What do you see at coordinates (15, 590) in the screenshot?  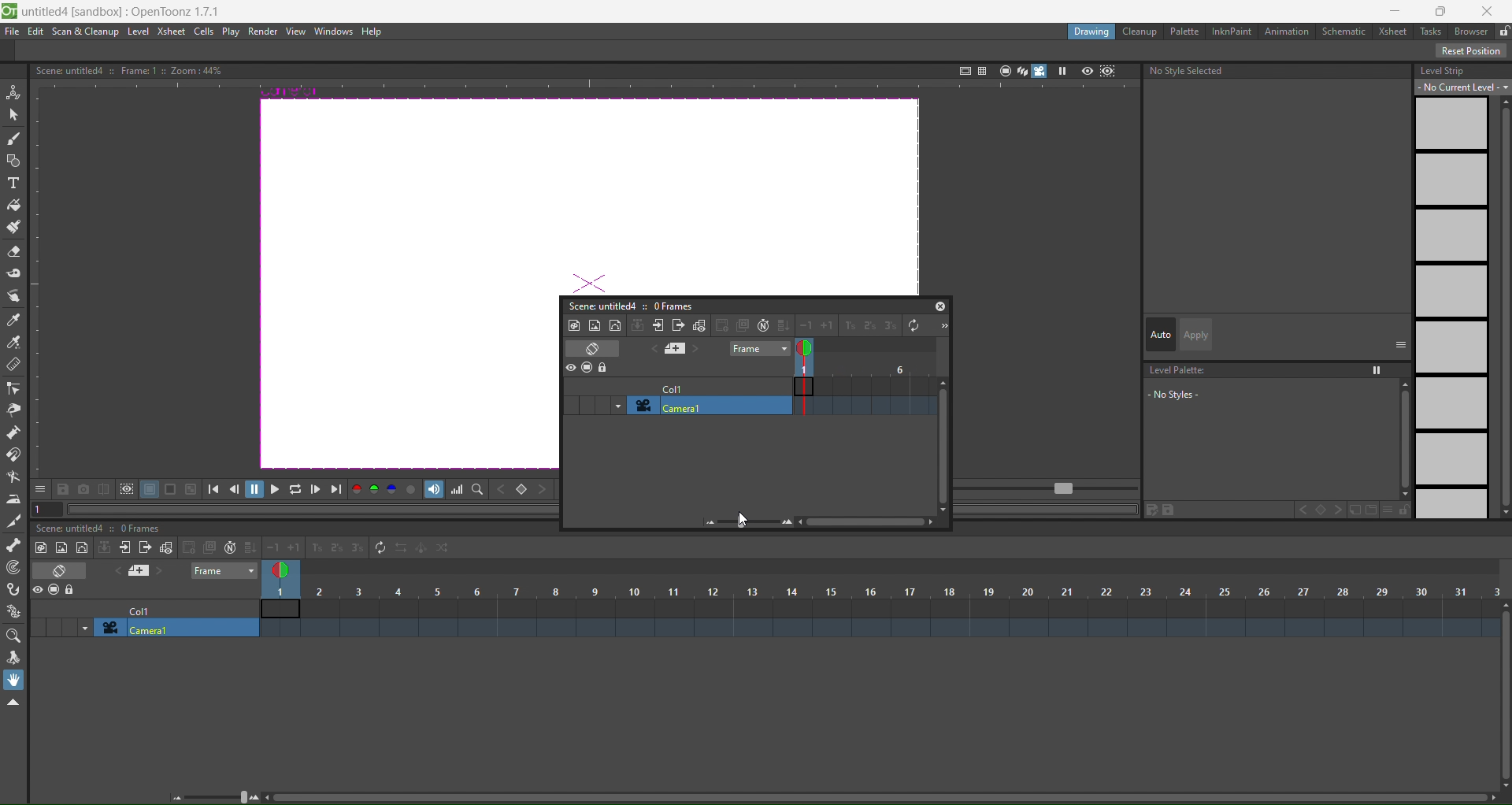 I see `hook tool` at bounding box center [15, 590].